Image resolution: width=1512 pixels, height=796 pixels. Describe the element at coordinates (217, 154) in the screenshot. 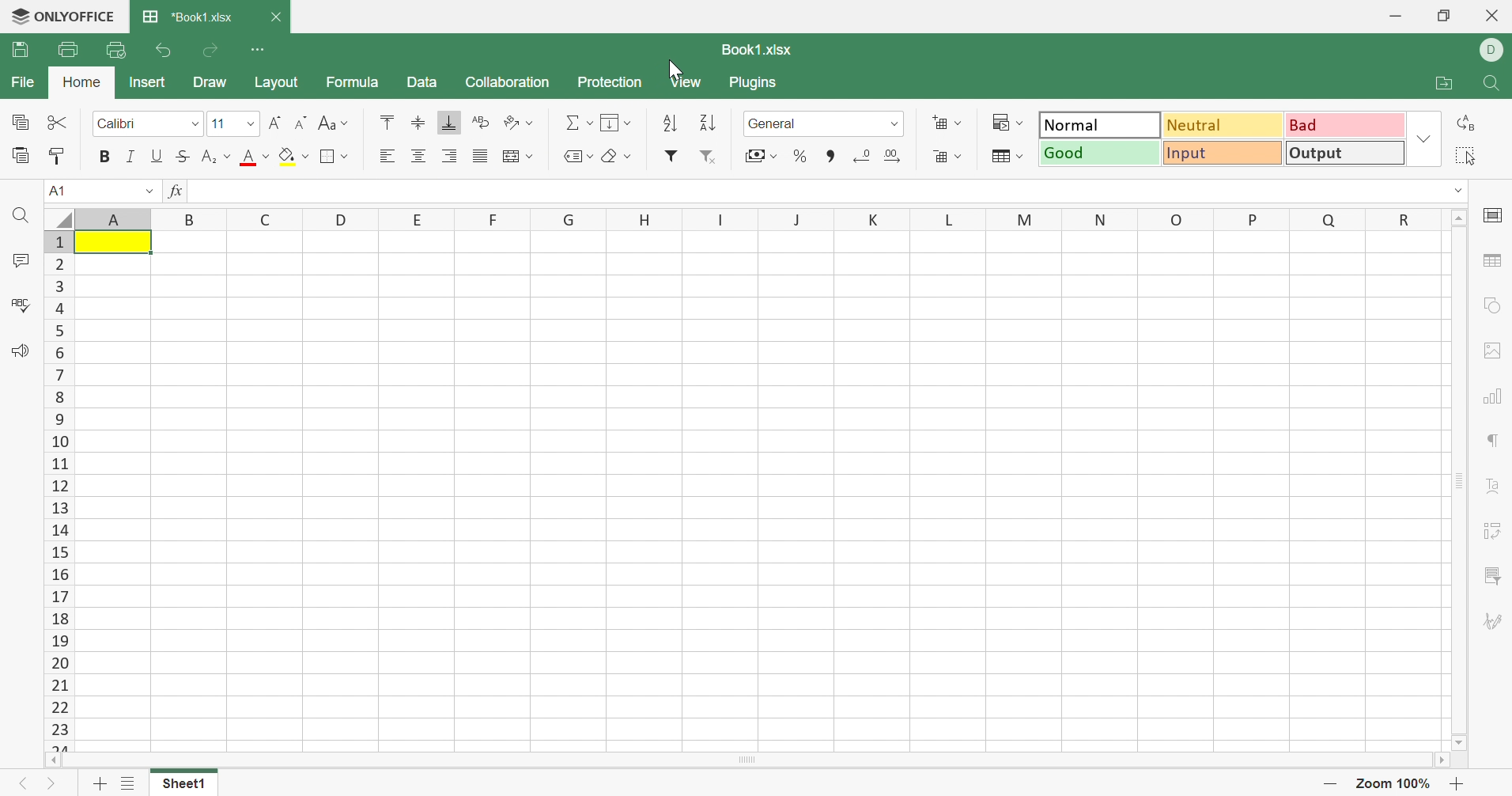

I see `Superscript/Subscript` at that location.